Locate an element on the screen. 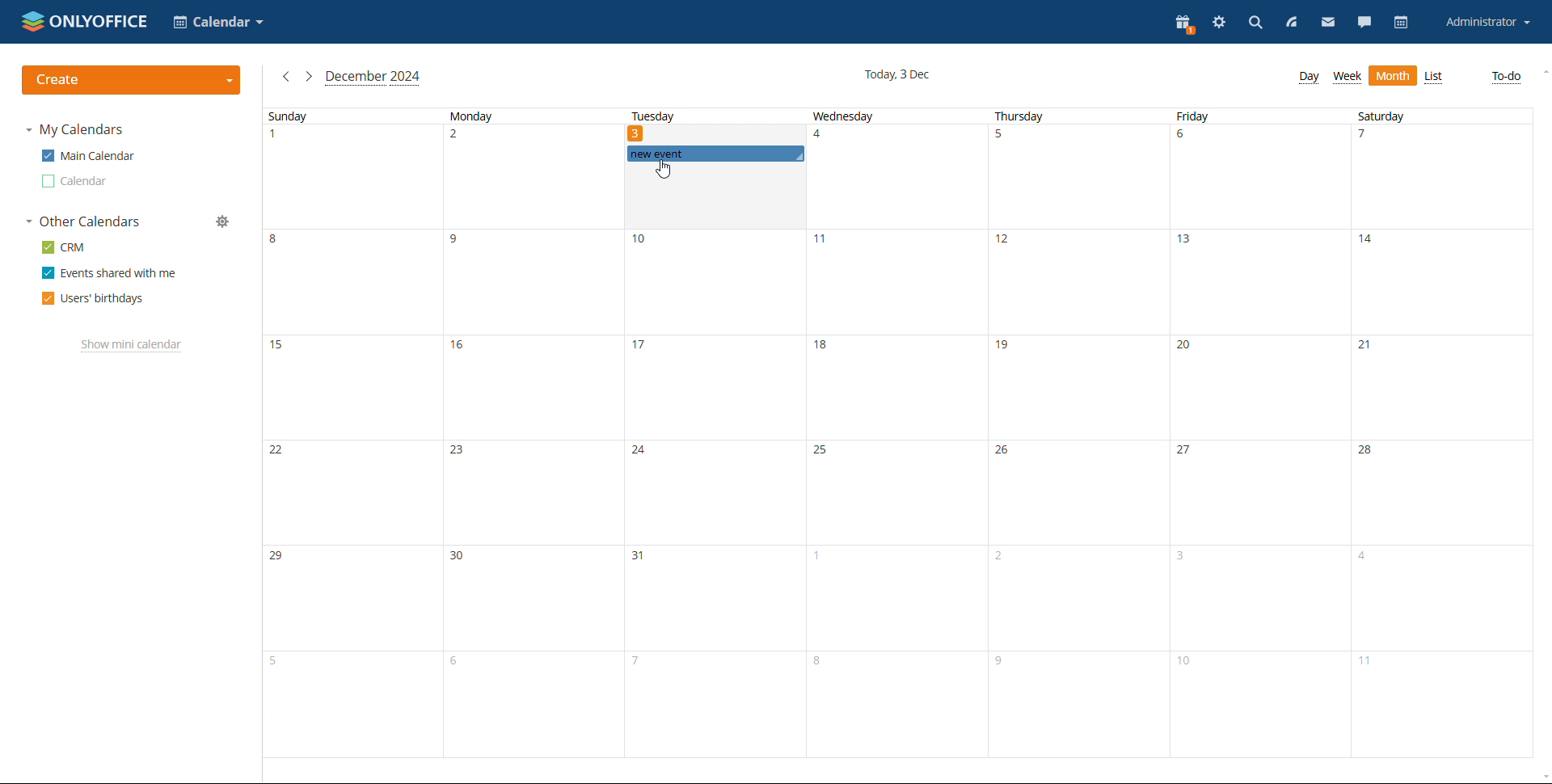  scroll up is located at coordinates (1542, 72).